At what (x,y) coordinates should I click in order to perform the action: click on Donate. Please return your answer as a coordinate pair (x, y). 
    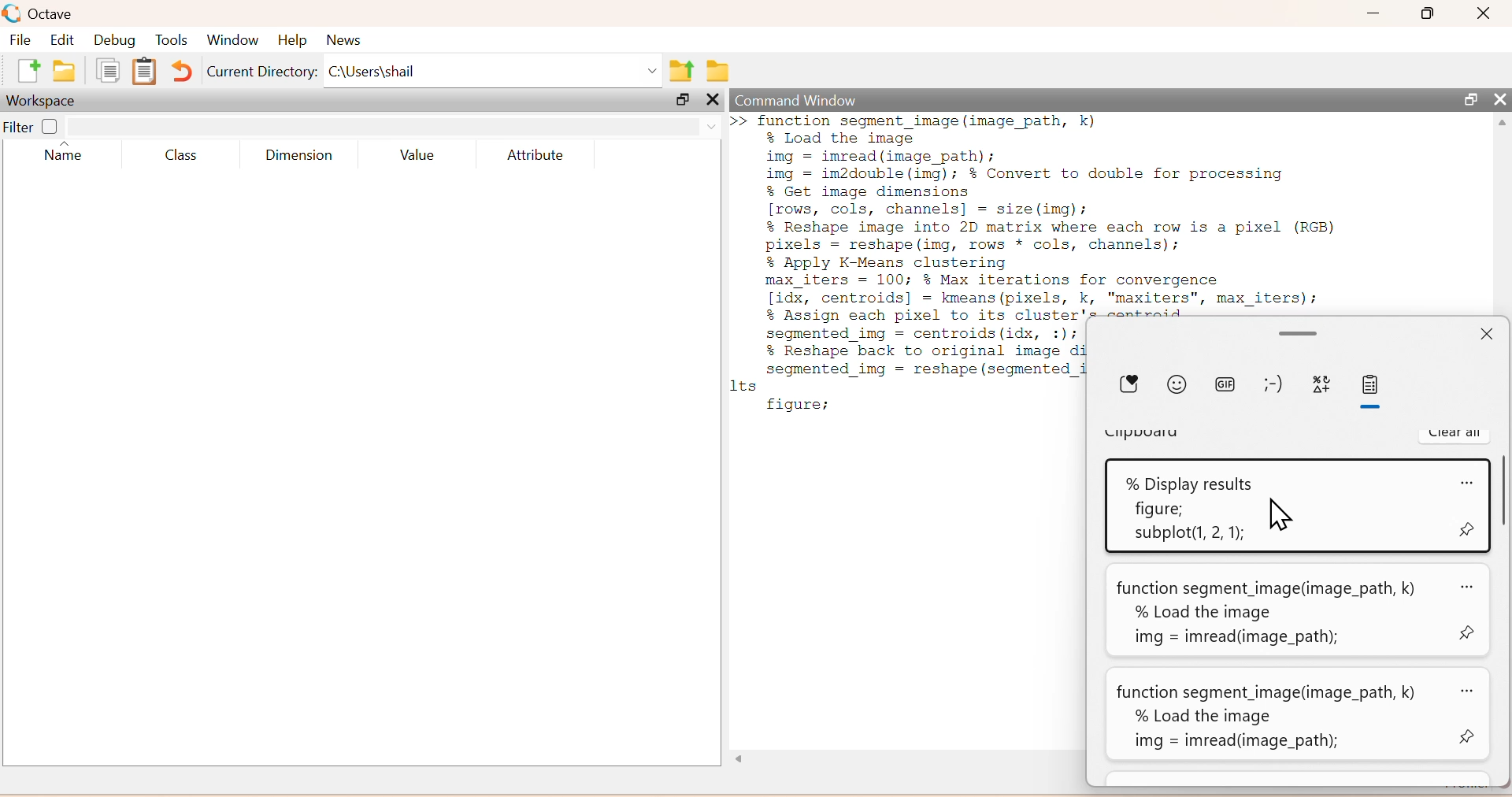
    Looking at the image, I should click on (1128, 384).